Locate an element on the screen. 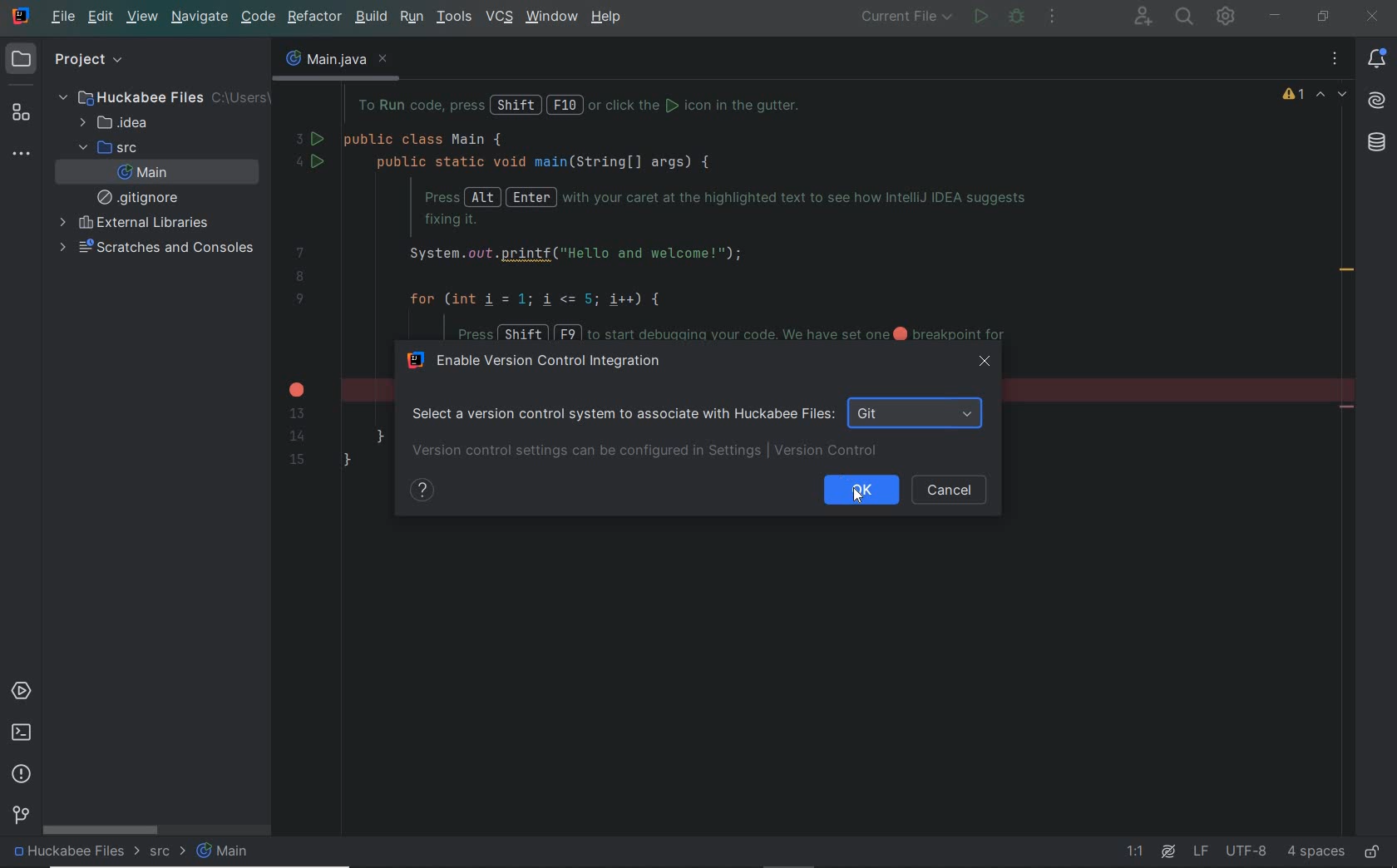 Image resolution: width=1397 pixels, height=868 pixels. go to line is located at coordinates (1138, 852).